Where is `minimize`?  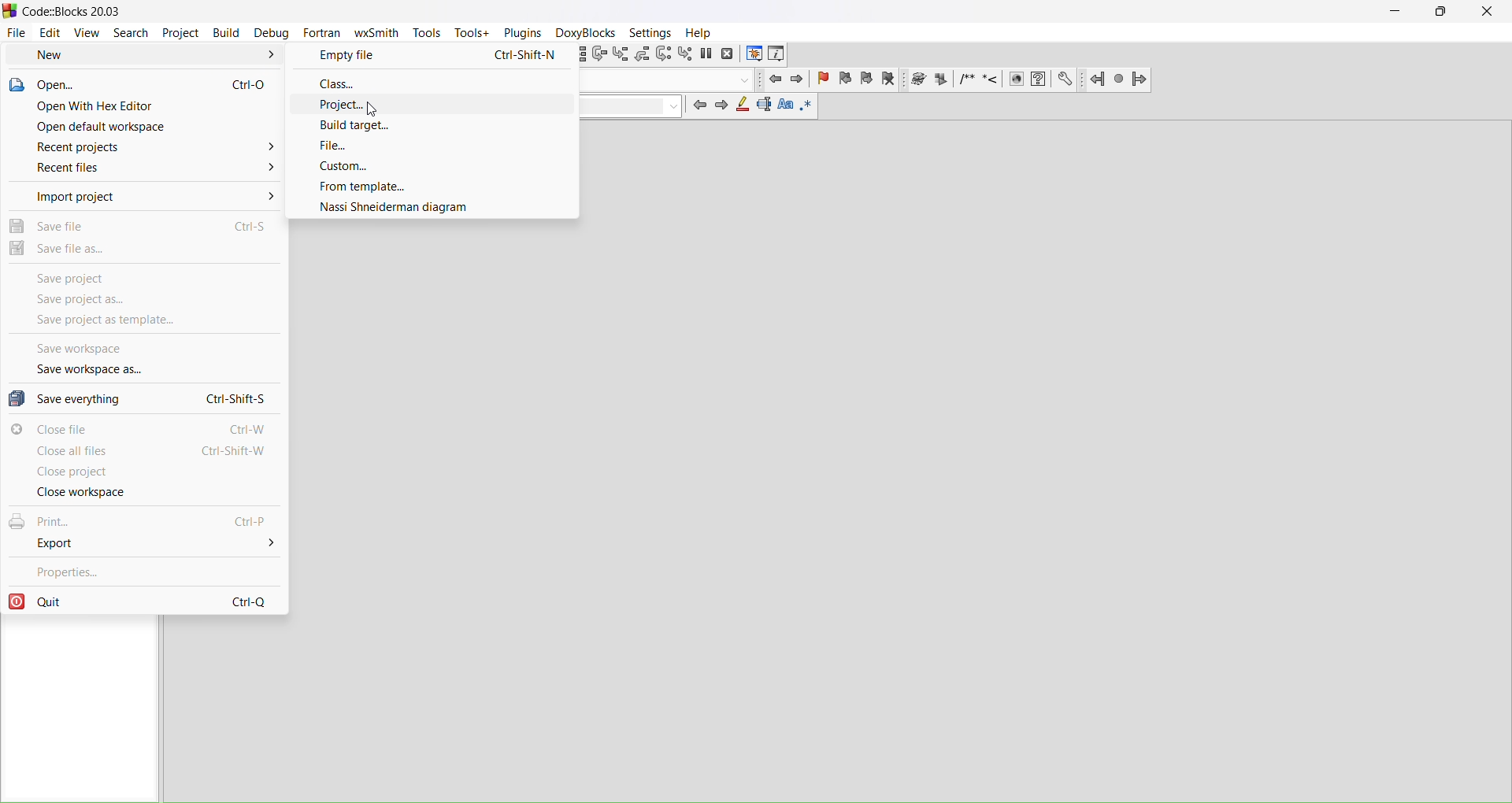 minimize is located at coordinates (1395, 14).